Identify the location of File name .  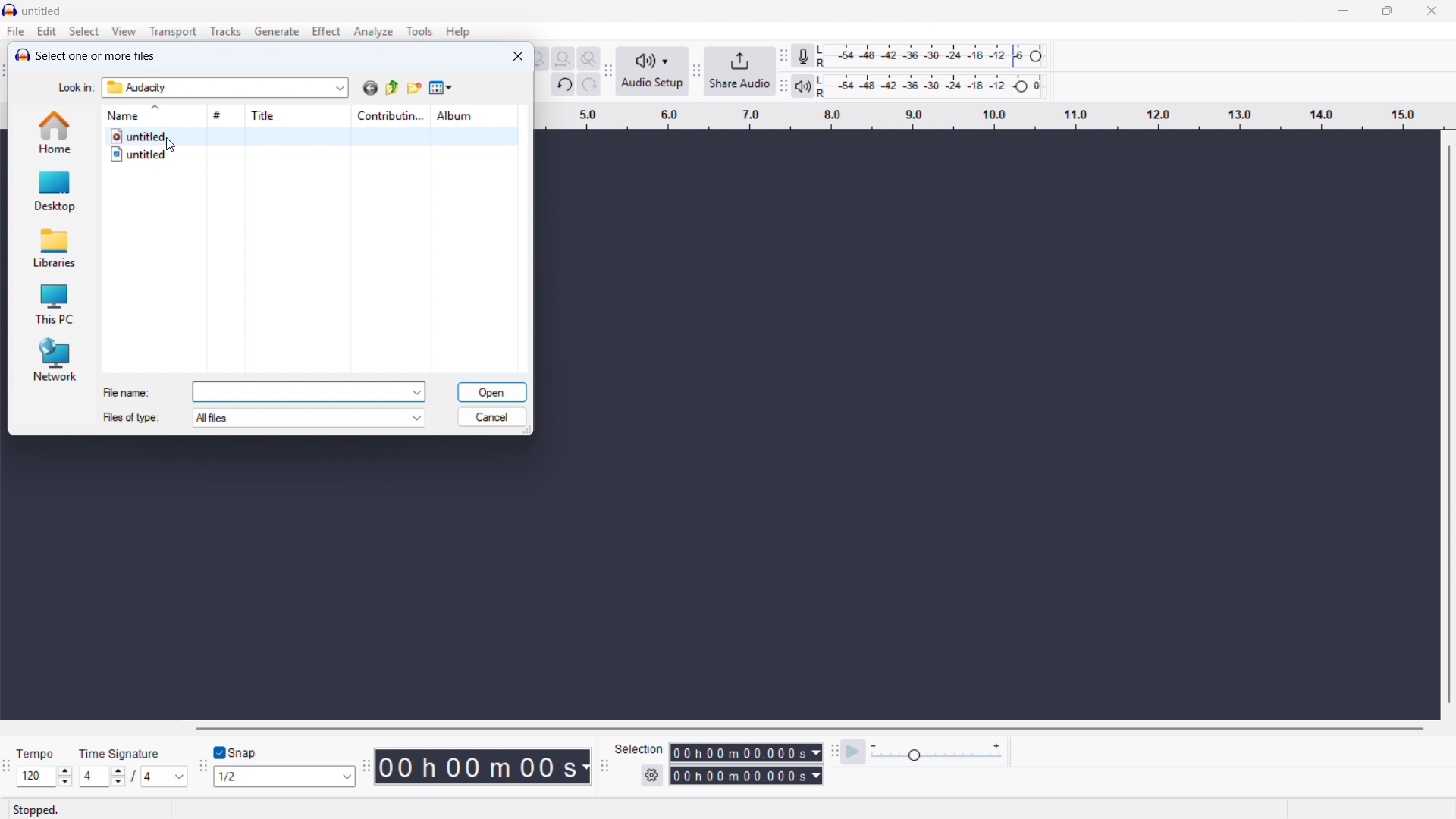
(310, 391).